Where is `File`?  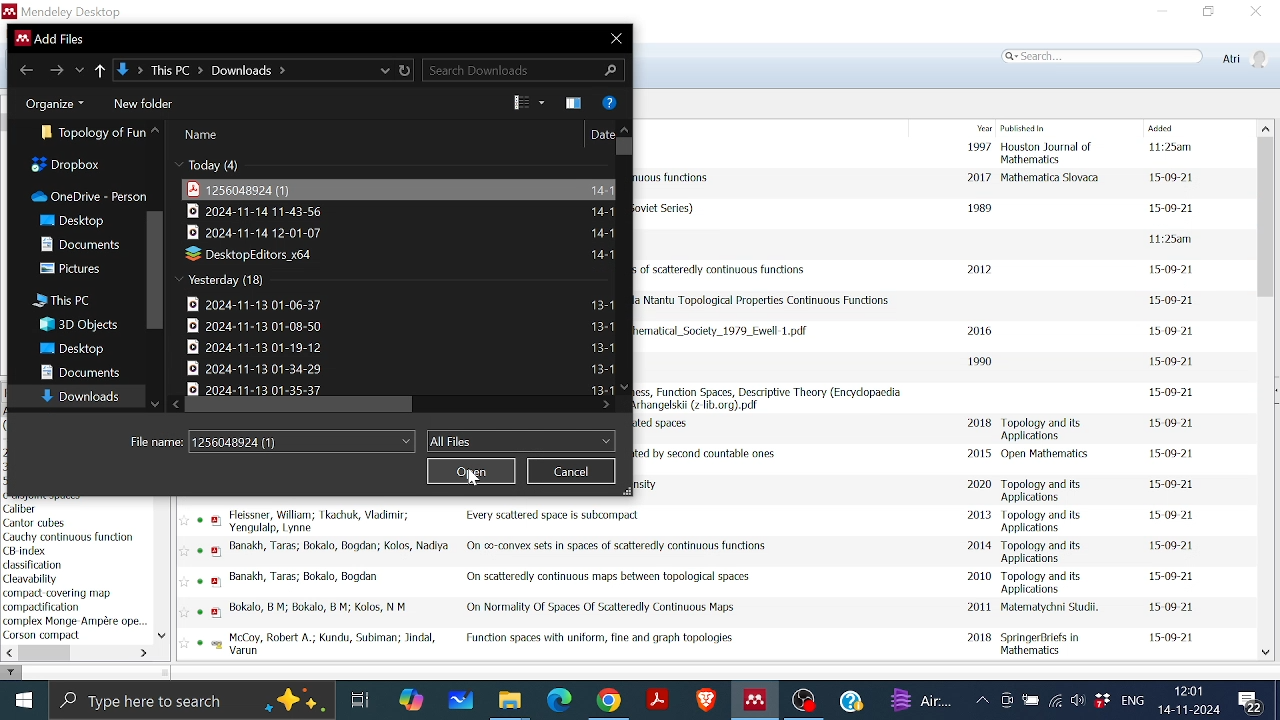 File is located at coordinates (603, 348).